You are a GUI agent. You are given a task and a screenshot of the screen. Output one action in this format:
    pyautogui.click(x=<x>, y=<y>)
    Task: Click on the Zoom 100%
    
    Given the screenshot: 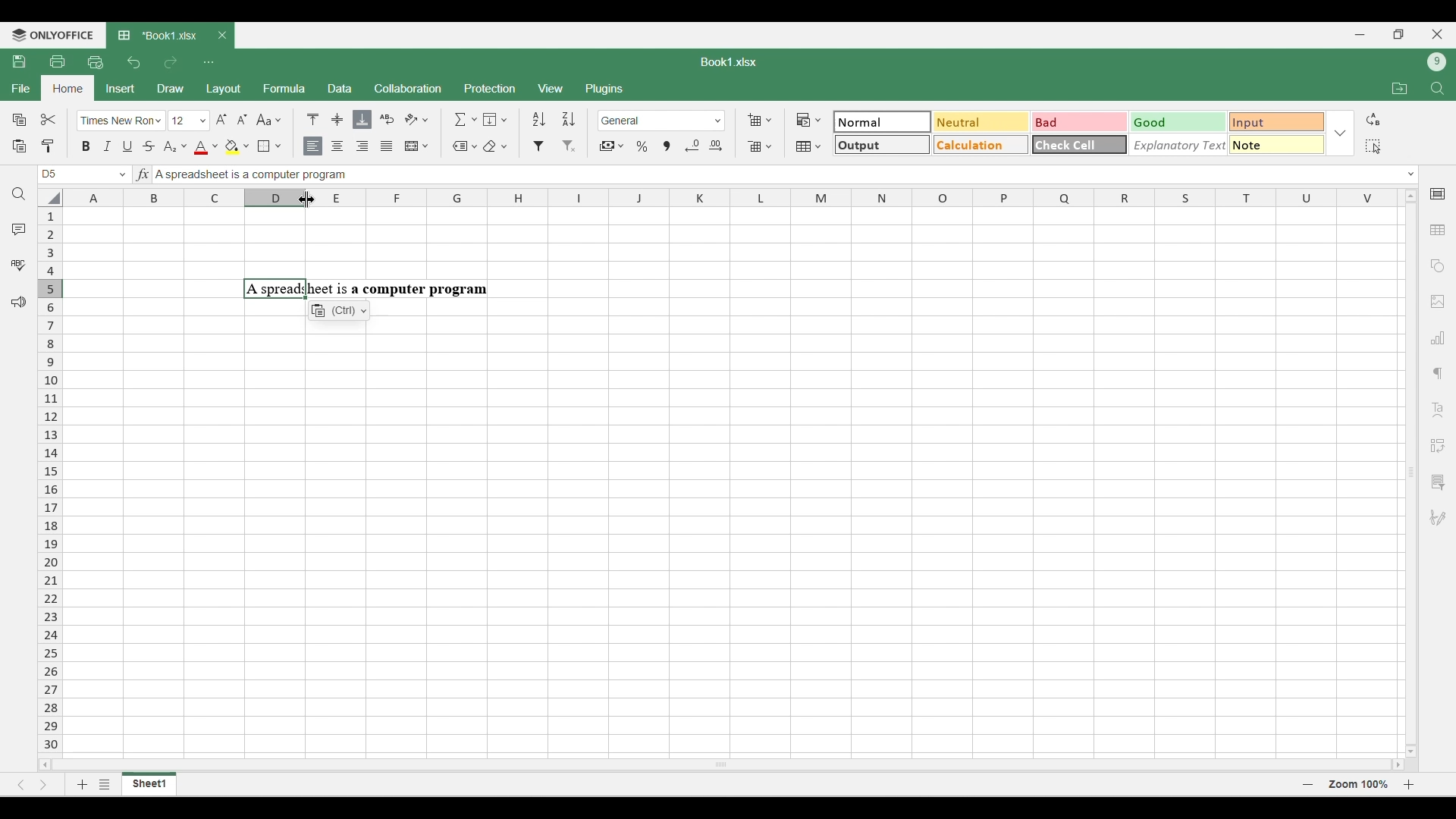 What is the action you would take?
    pyautogui.click(x=1358, y=783)
    